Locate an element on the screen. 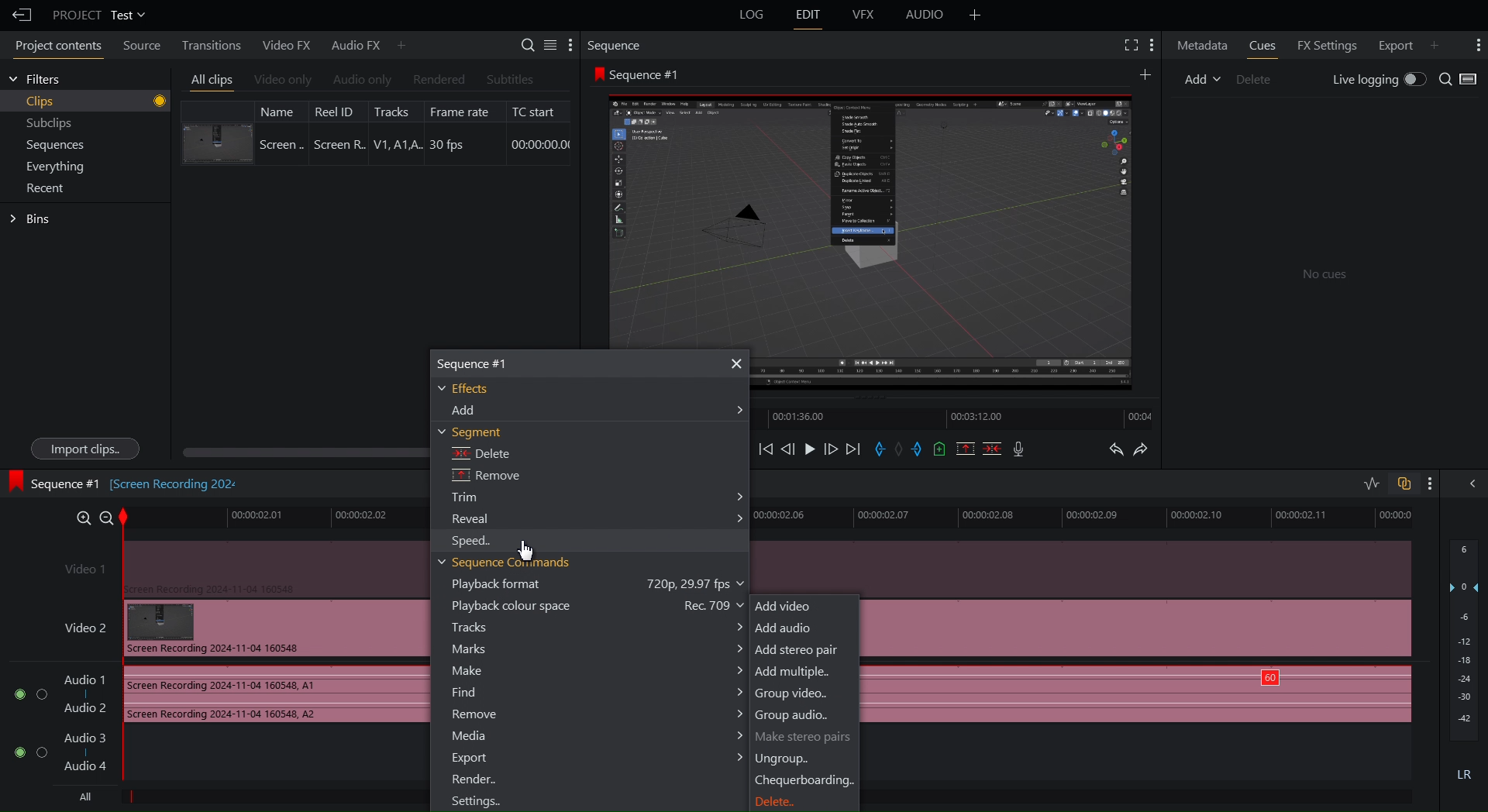 Image resolution: width=1488 pixels, height=812 pixels. Export is located at coordinates (597, 759).